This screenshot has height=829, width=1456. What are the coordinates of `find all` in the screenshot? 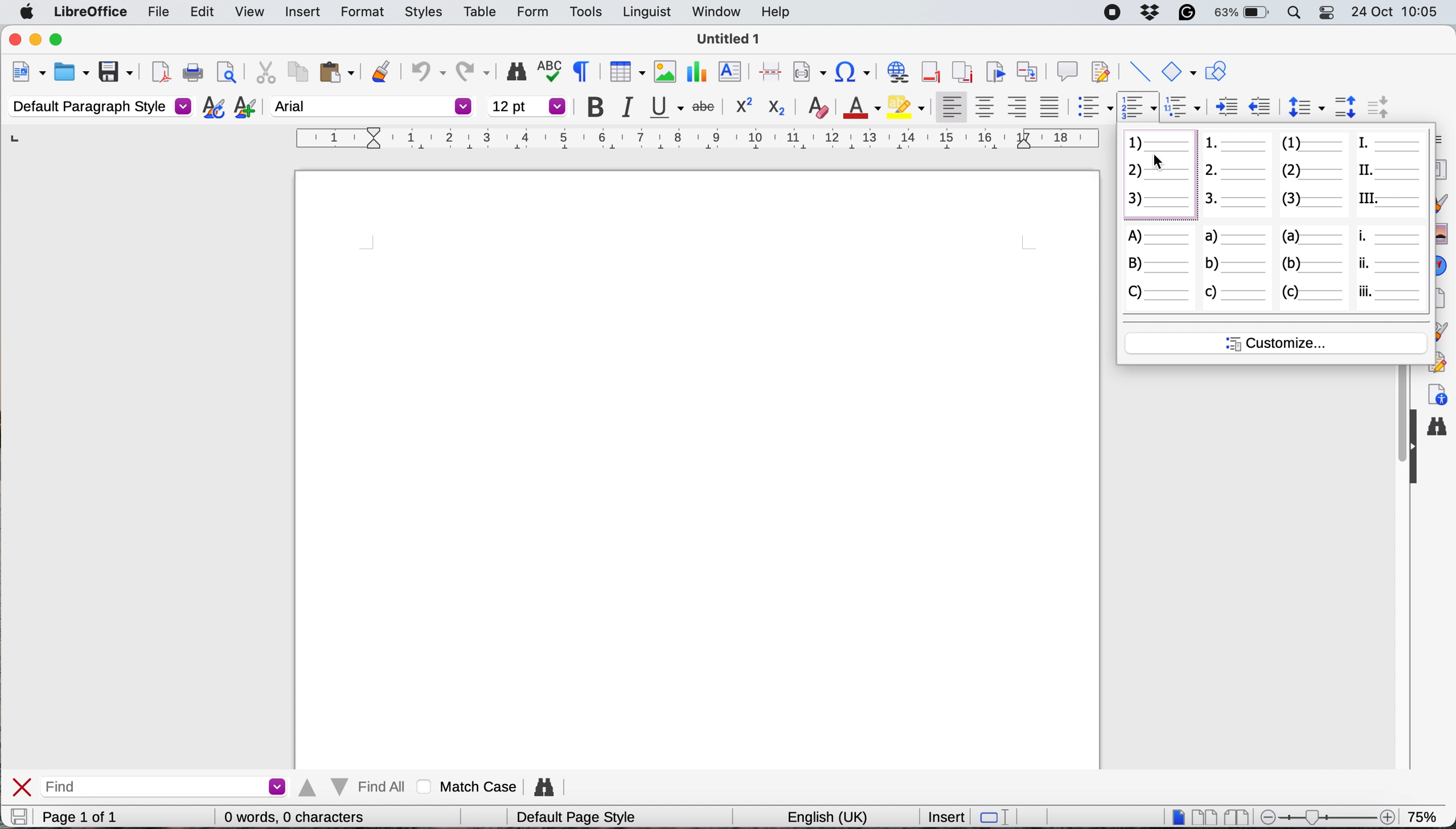 It's located at (354, 787).